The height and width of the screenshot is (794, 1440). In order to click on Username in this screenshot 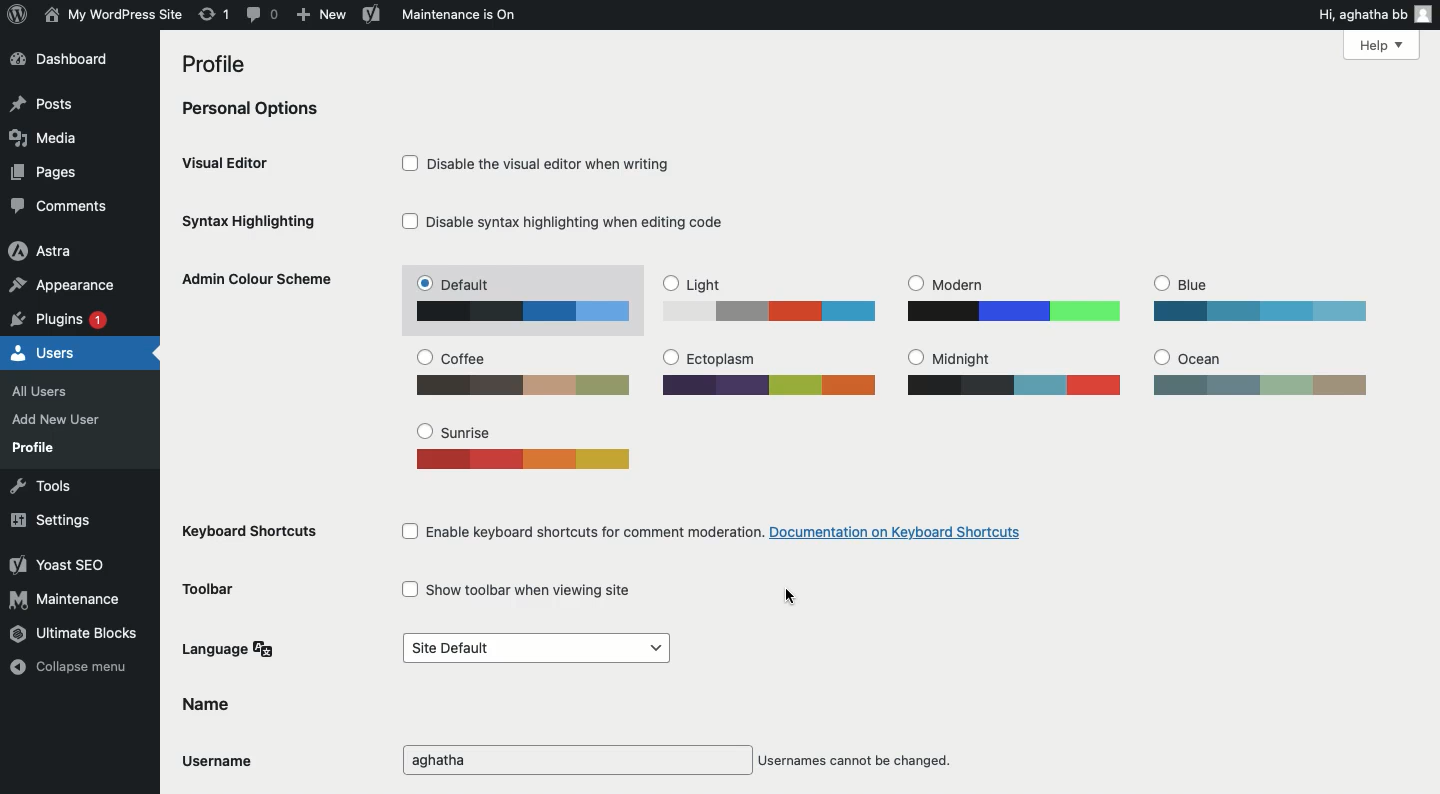, I will do `click(567, 758)`.